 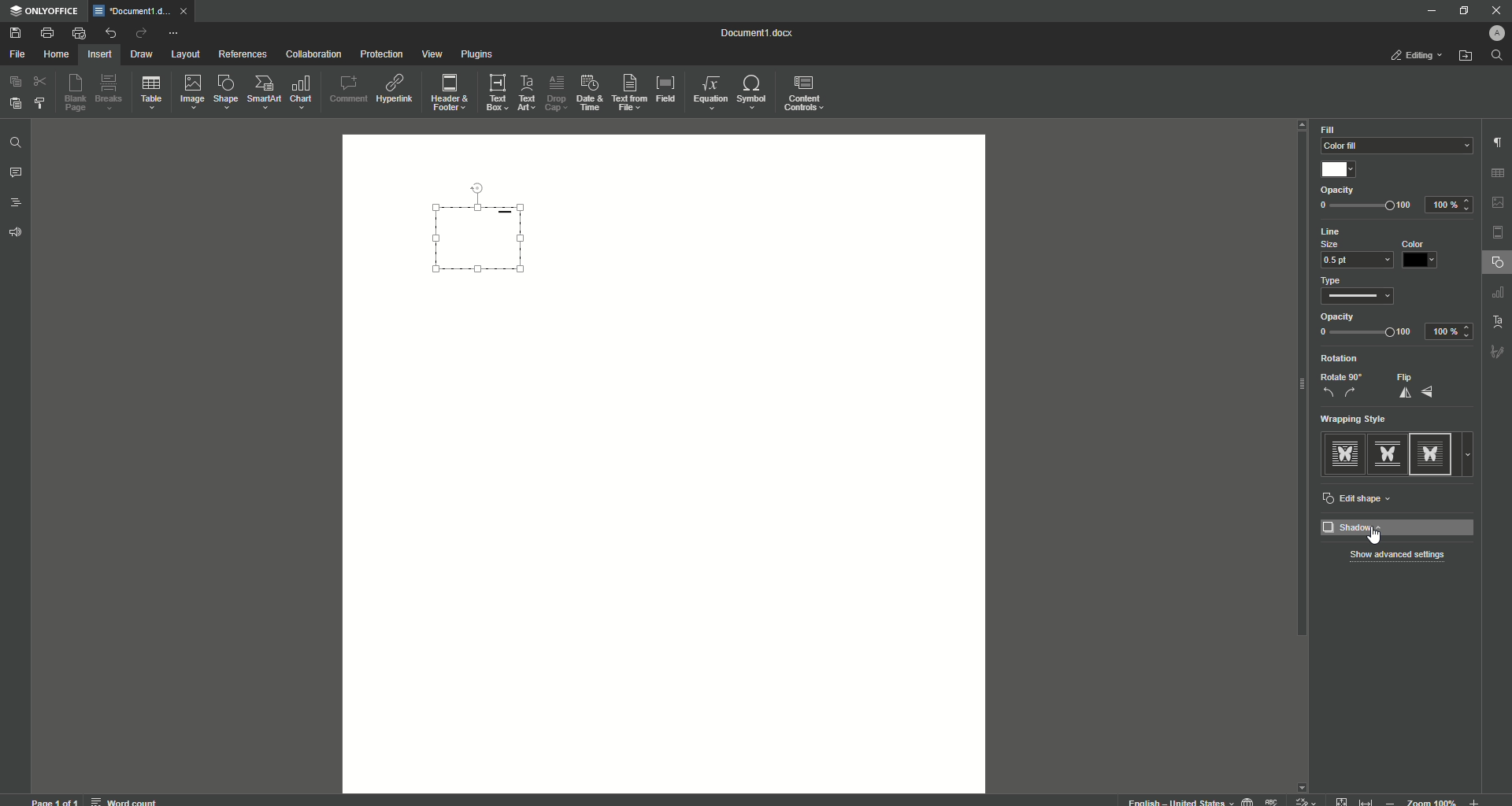 What do you see at coordinates (1399, 527) in the screenshot?
I see `Shadow` at bounding box center [1399, 527].